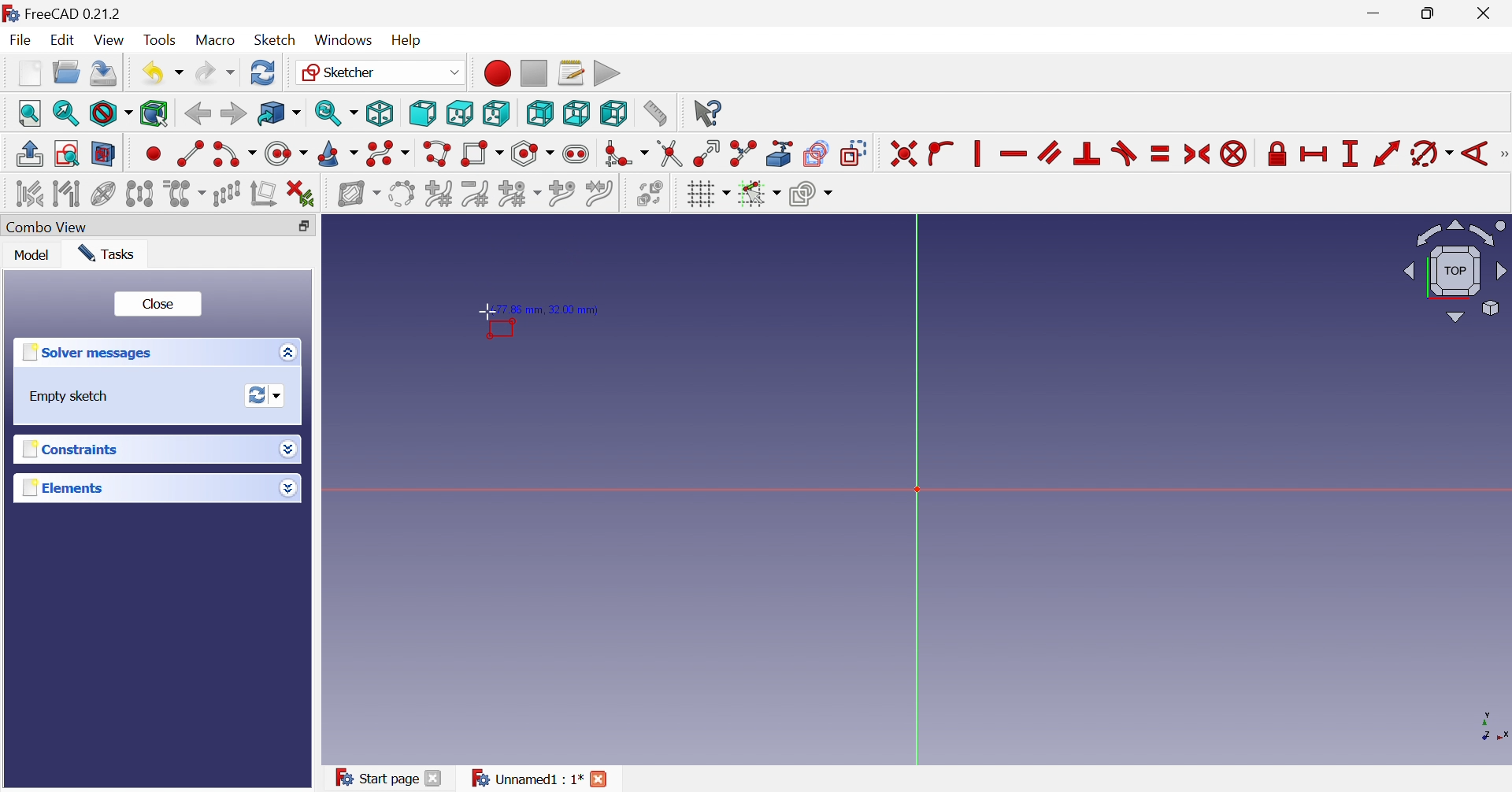 Image resolution: width=1512 pixels, height=792 pixels. I want to click on Split edge, so click(744, 154).